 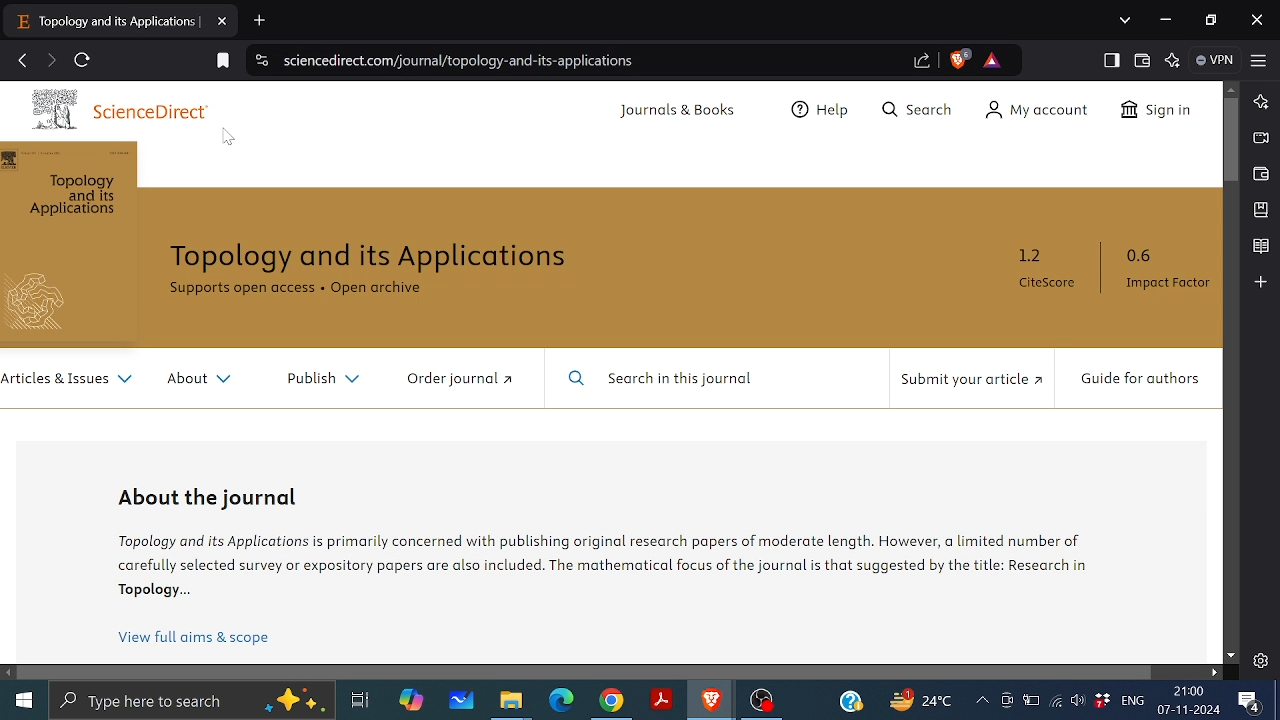 What do you see at coordinates (1210, 19) in the screenshot?
I see `restore down` at bounding box center [1210, 19].